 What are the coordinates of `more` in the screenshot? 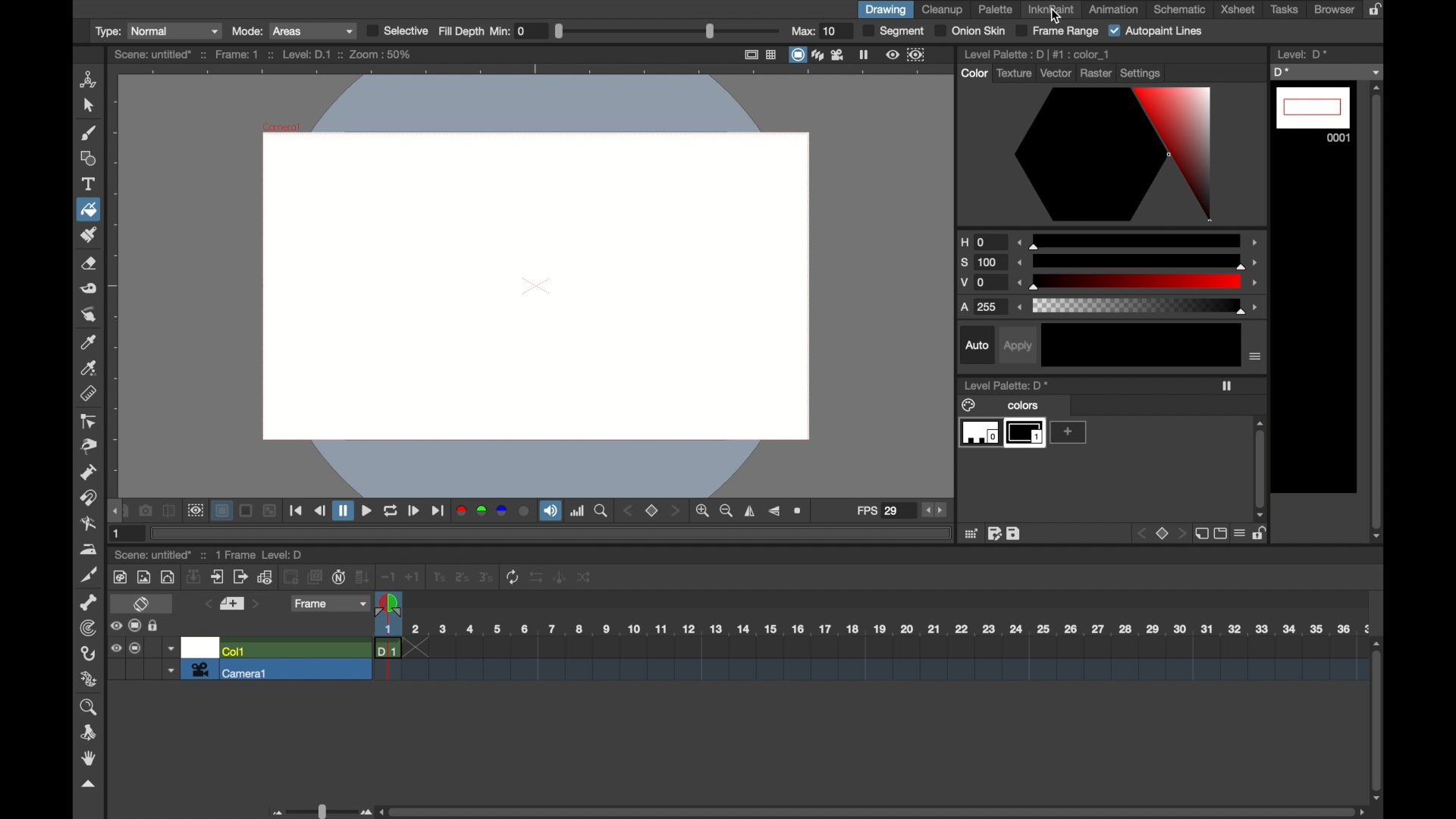 It's located at (1068, 432).